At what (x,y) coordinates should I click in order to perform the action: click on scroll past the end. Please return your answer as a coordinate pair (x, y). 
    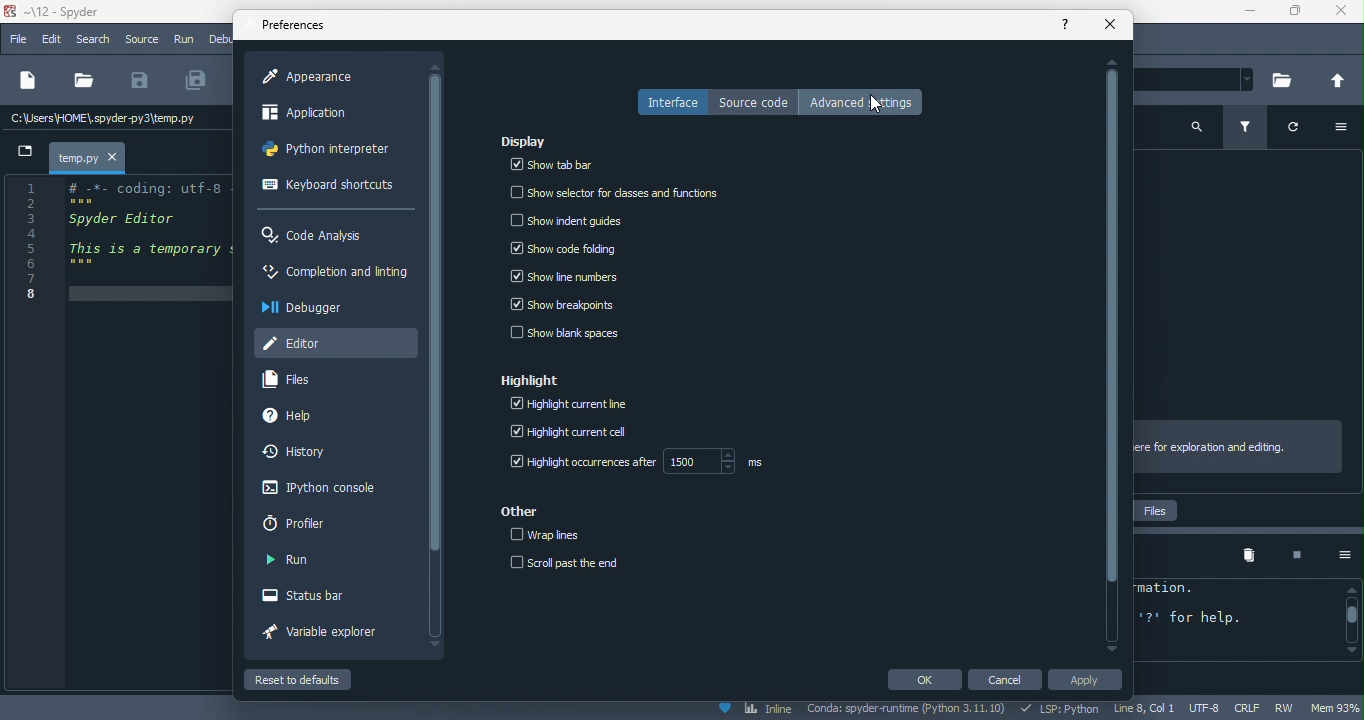
    Looking at the image, I should click on (567, 563).